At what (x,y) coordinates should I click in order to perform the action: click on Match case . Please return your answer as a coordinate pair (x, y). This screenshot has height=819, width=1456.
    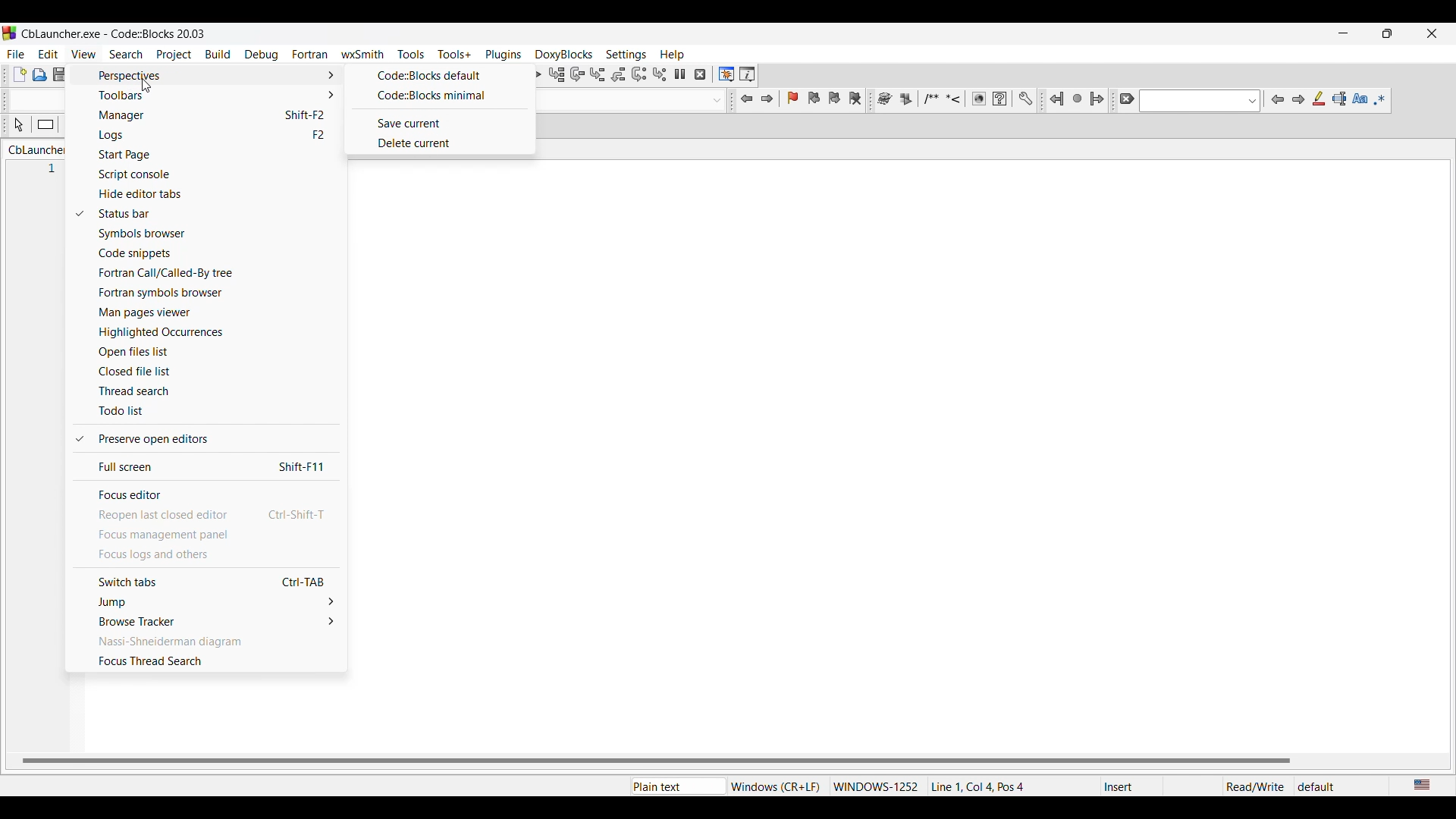
    Looking at the image, I should click on (1360, 98).